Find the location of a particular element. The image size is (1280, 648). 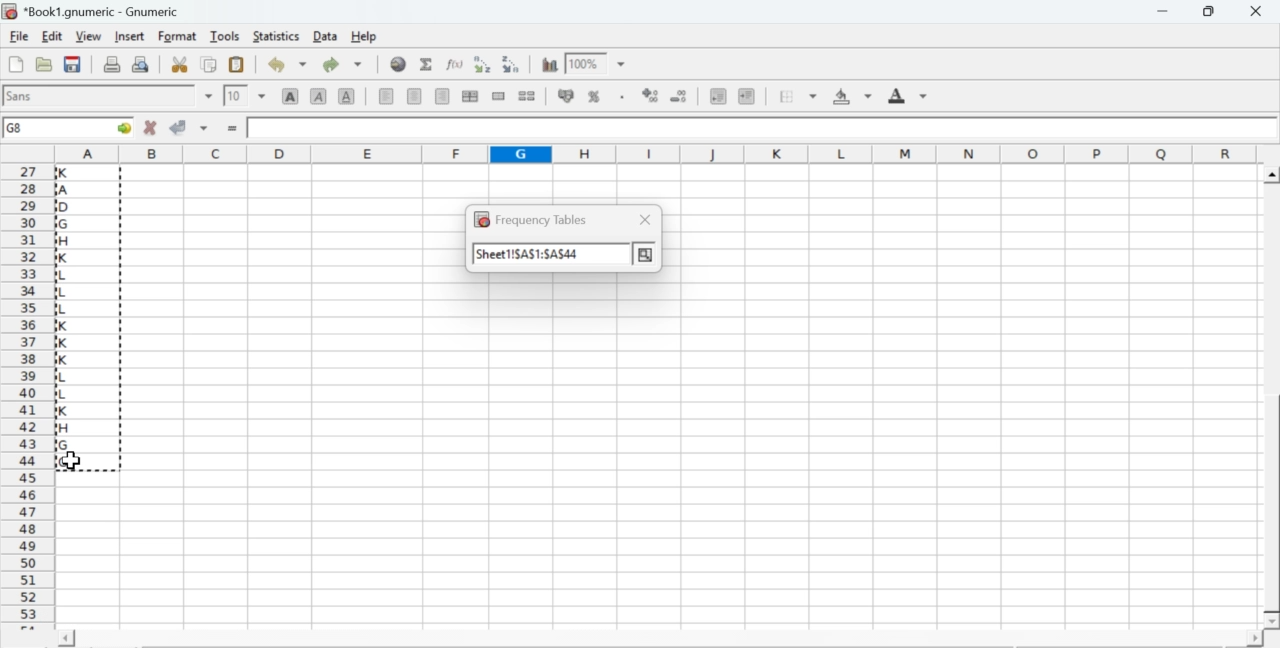

underline is located at coordinates (347, 95).